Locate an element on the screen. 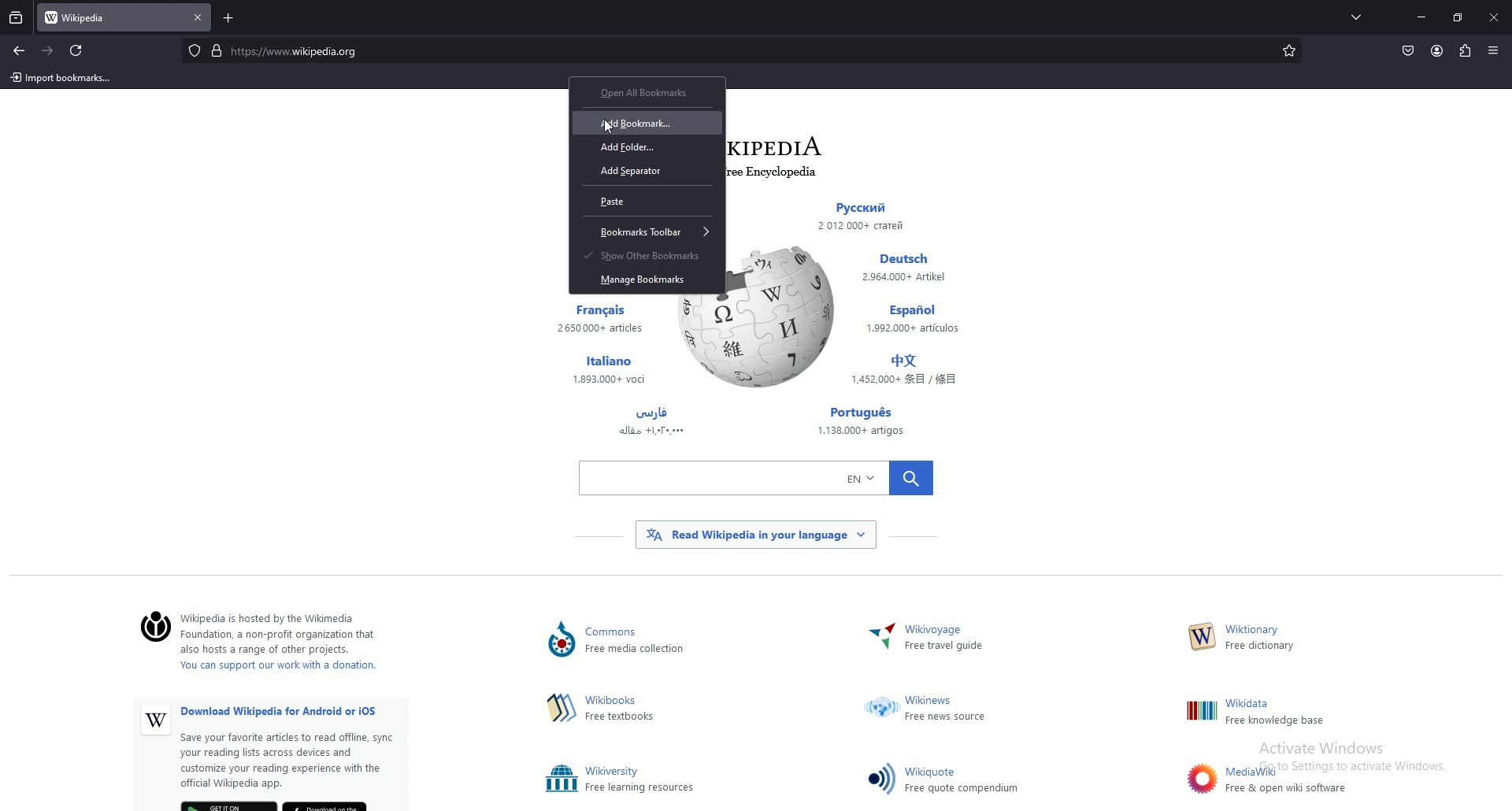   is located at coordinates (756, 476).